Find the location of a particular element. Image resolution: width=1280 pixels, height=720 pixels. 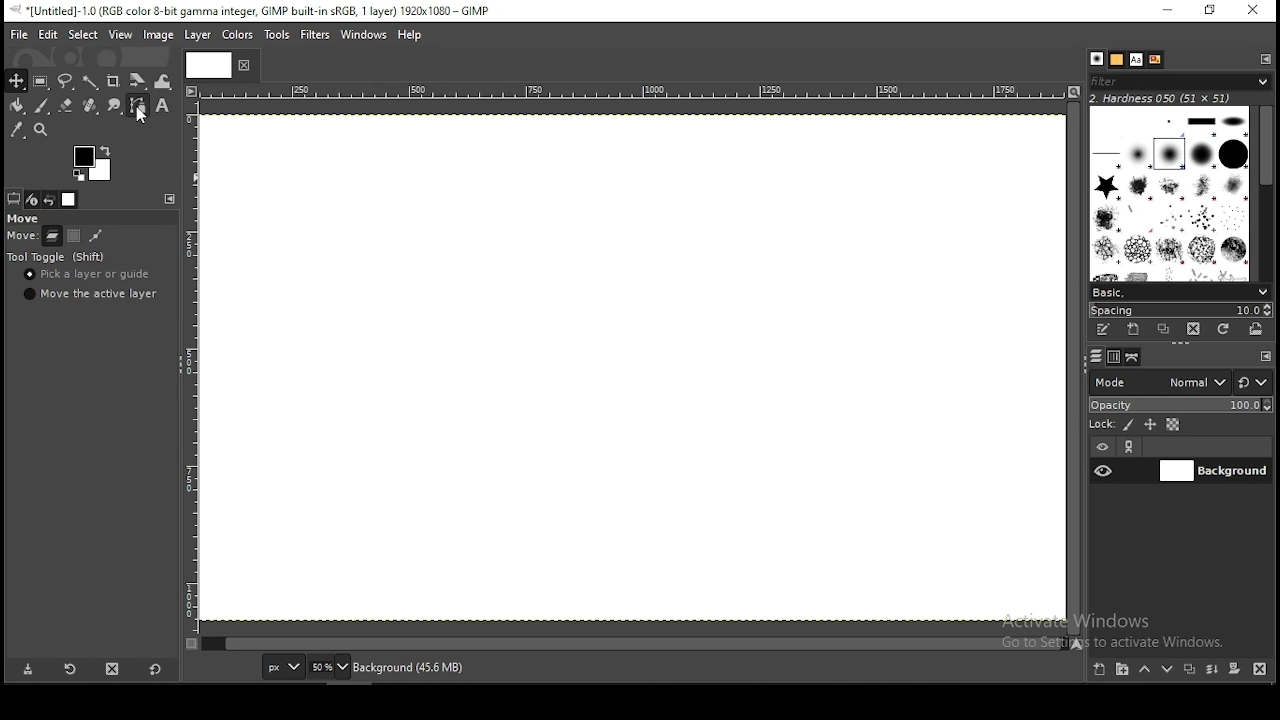

background (45.6mb) is located at coordinates (413, 667).